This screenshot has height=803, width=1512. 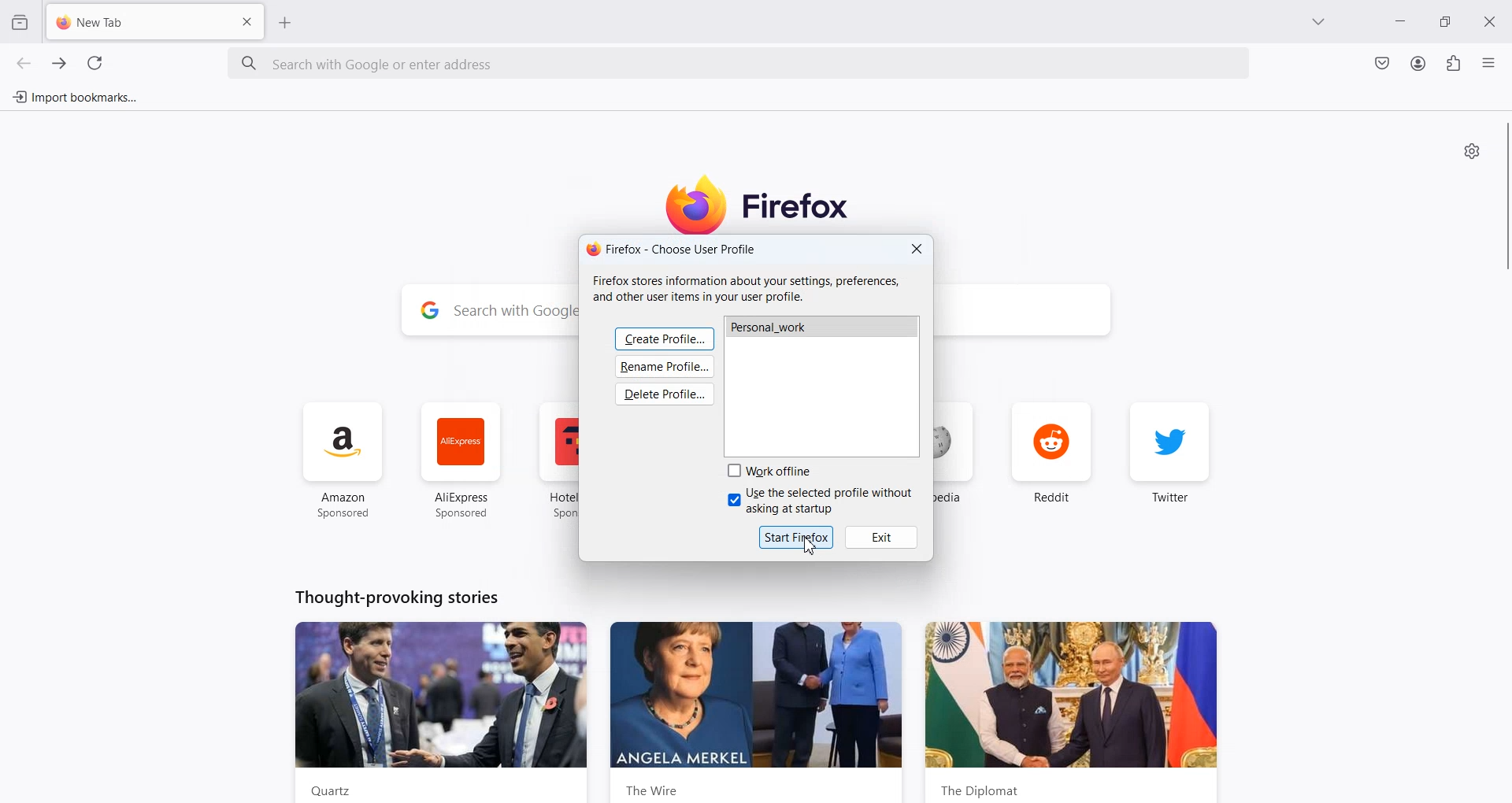 What do you see at coordinates (461, 461) in the screenshot?
I see `AliExpress Sponsored` at bounding box center [461, 461].